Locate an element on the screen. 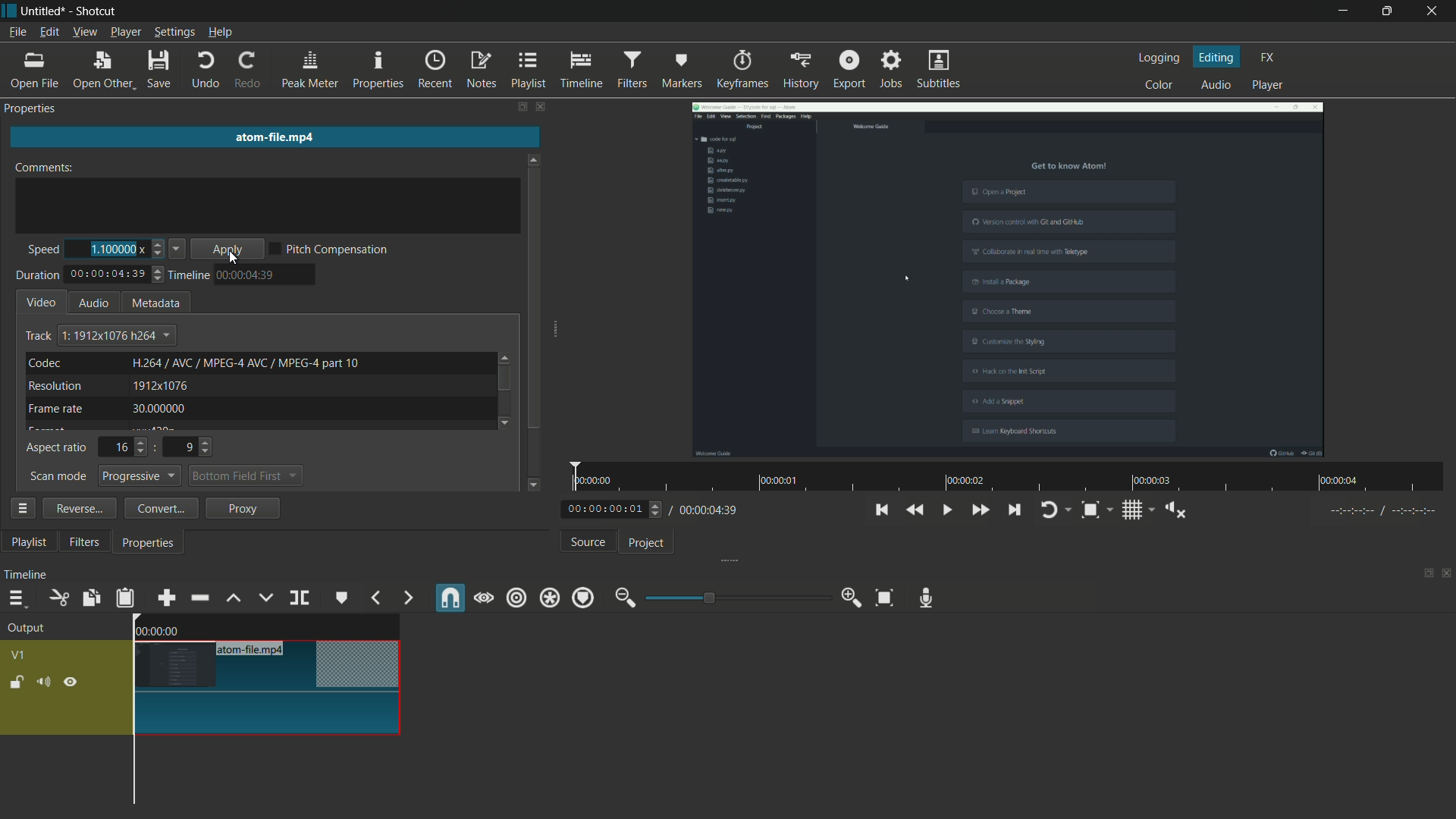  split at playhead is located at coordinates (301, 598).